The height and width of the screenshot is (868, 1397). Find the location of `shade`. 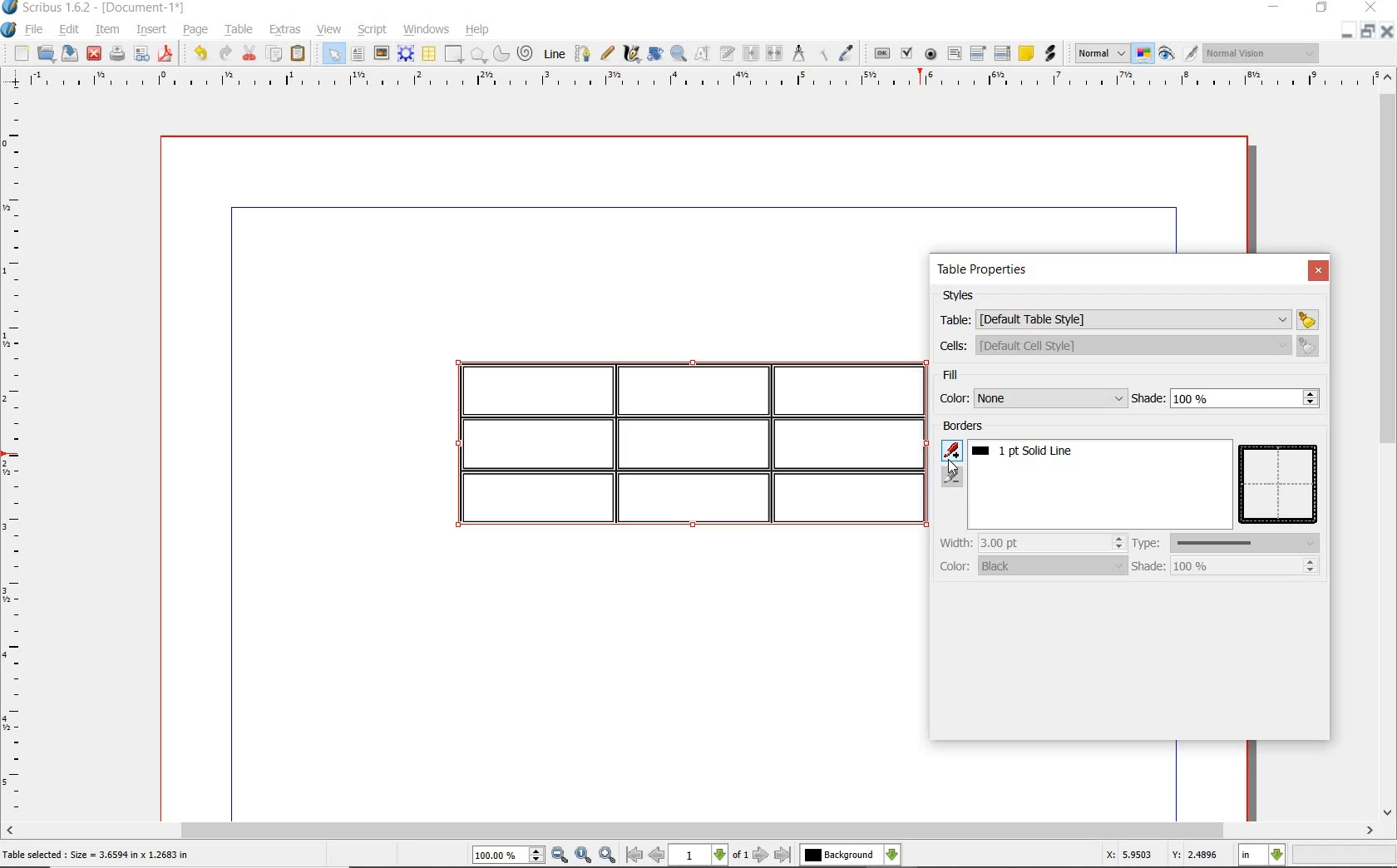

shade is located at coordinates (1227, 398).